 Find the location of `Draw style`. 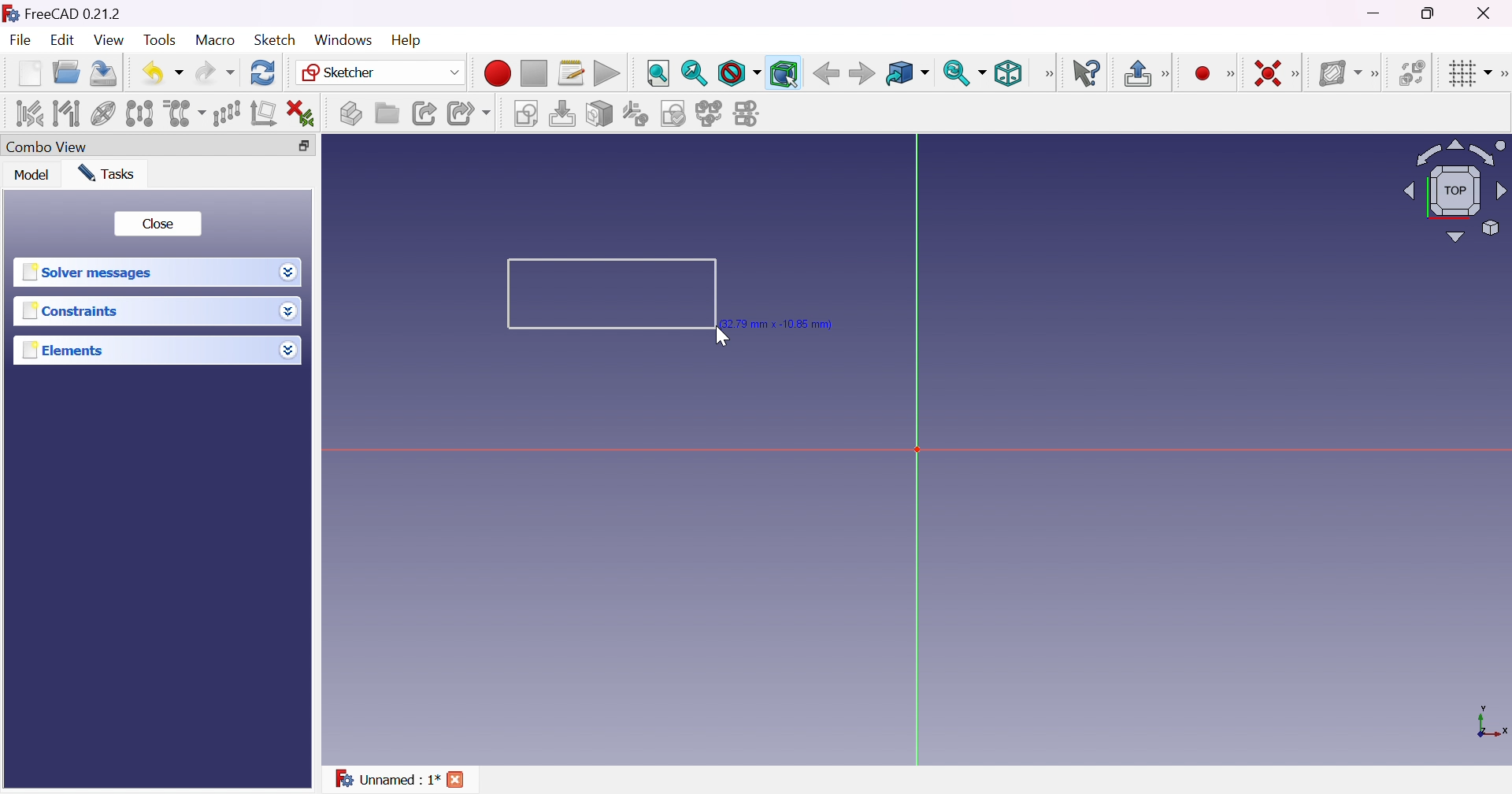

Draw style is located at coordinates (738, 73).